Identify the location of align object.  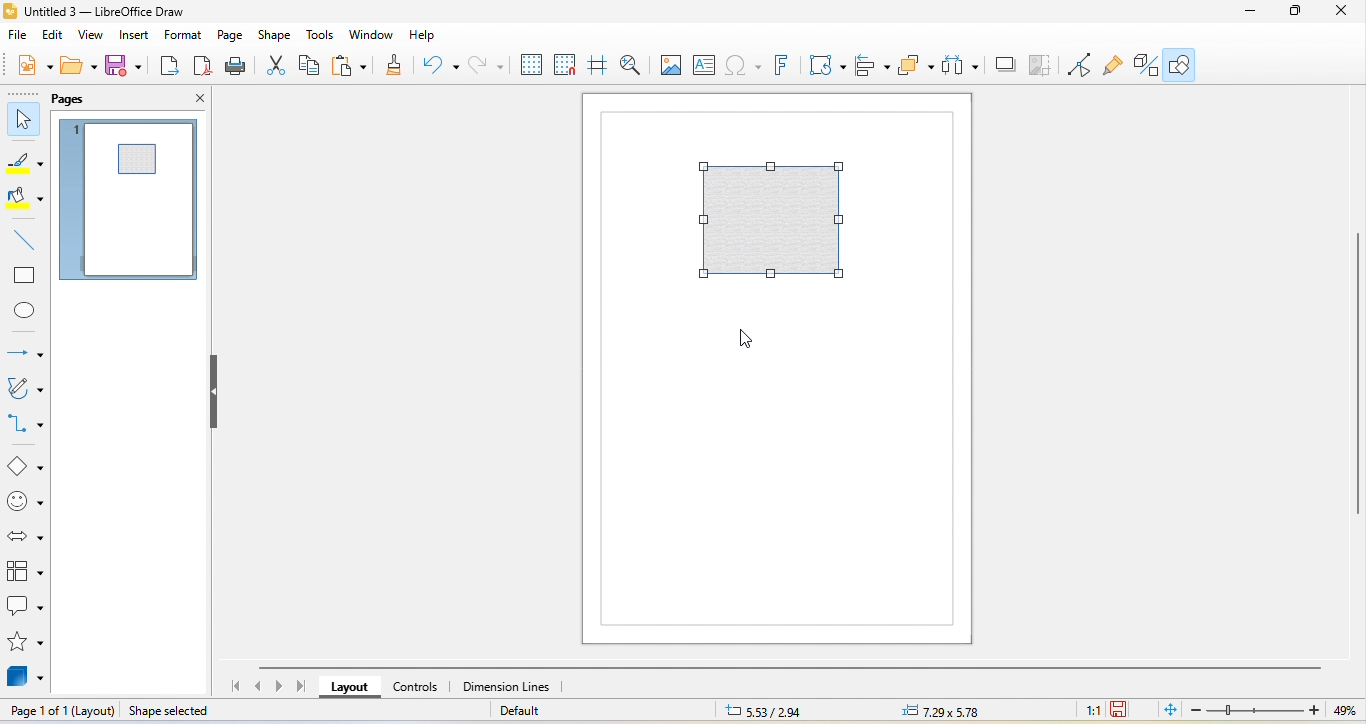
(871, 67).